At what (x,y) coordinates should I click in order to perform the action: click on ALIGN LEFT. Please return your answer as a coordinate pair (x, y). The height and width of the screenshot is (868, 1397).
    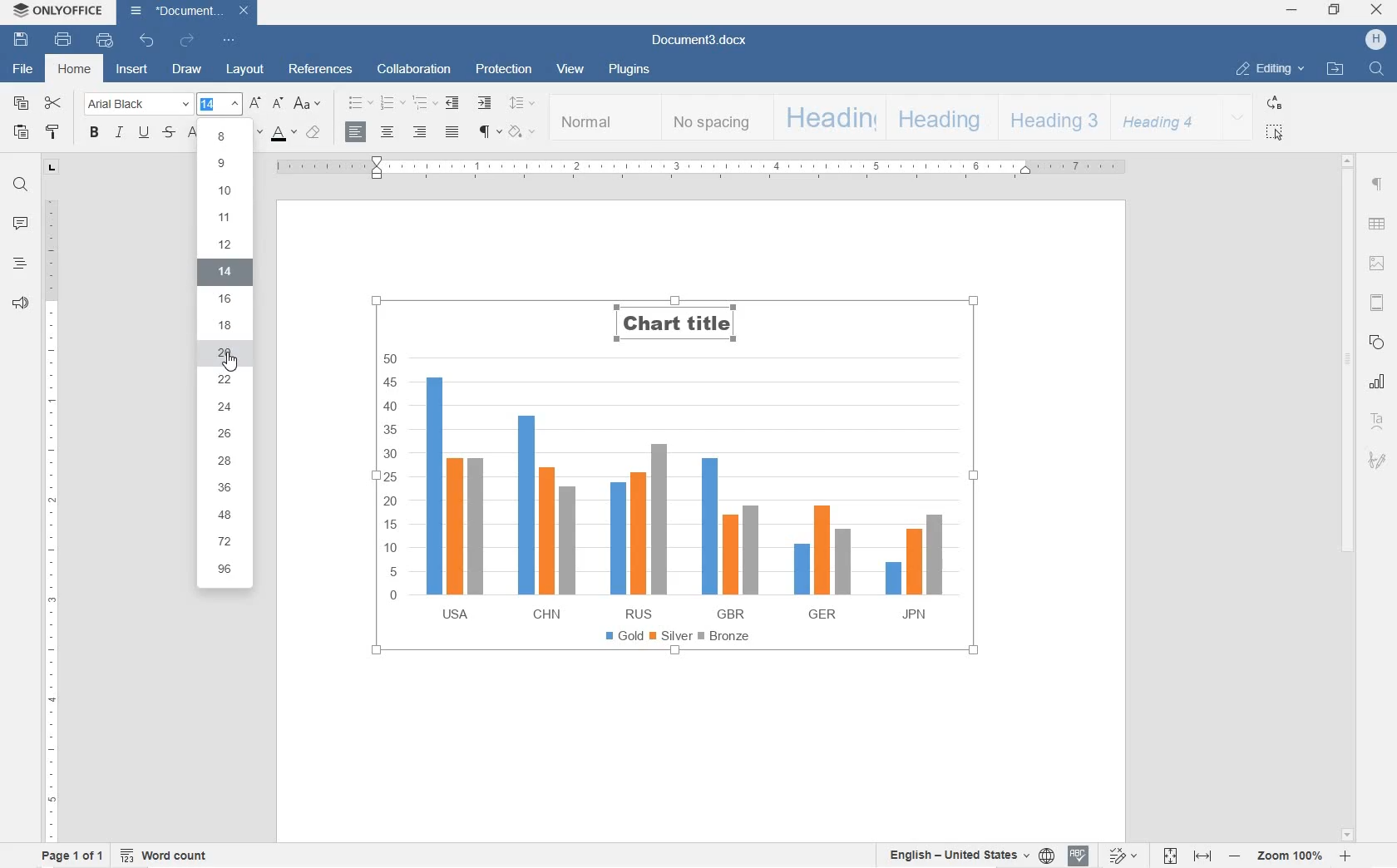
    Looking at the image, I should click on (355, 134).